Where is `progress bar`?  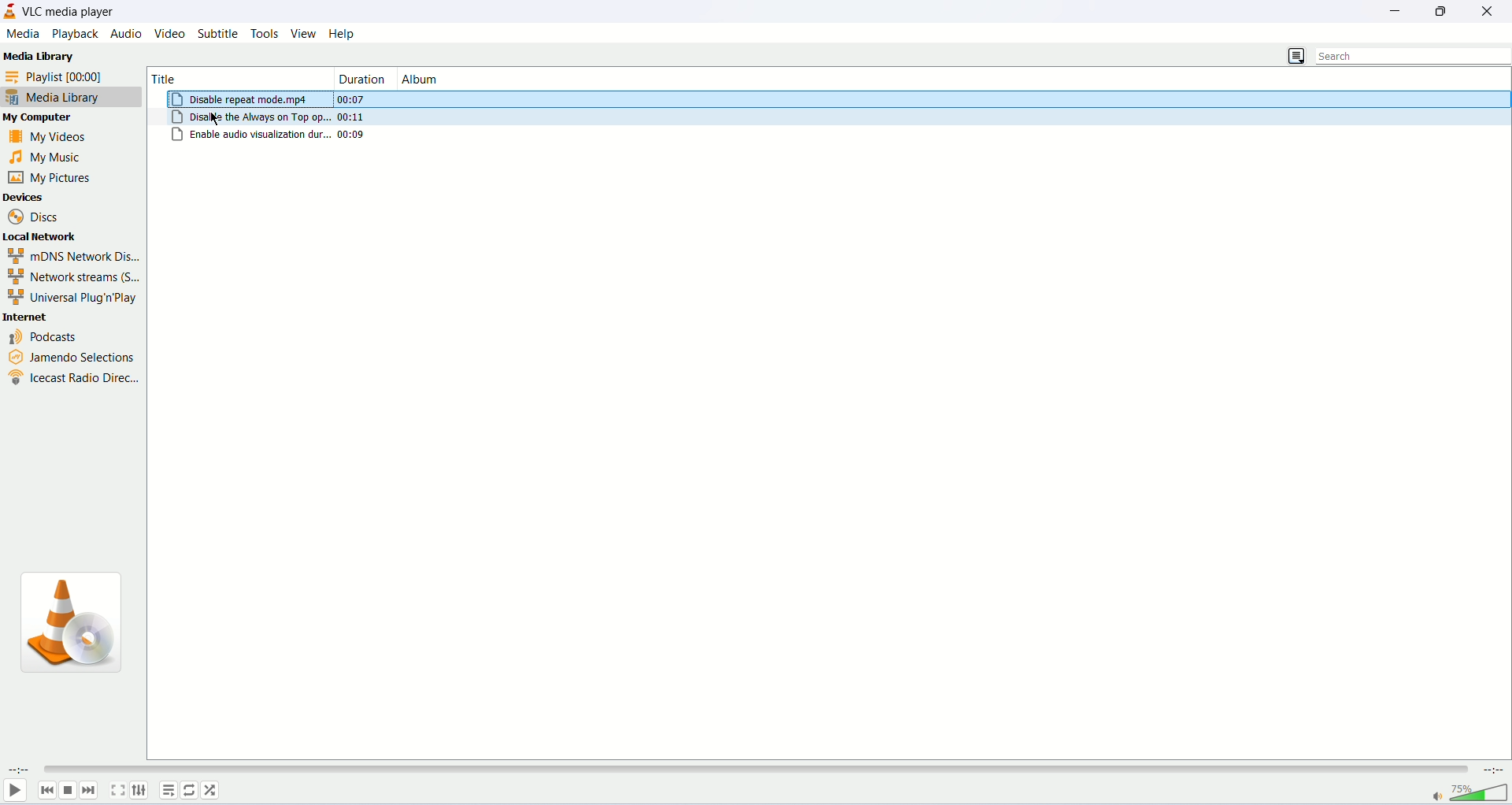
progress bar is located at coordinates (753, 770).